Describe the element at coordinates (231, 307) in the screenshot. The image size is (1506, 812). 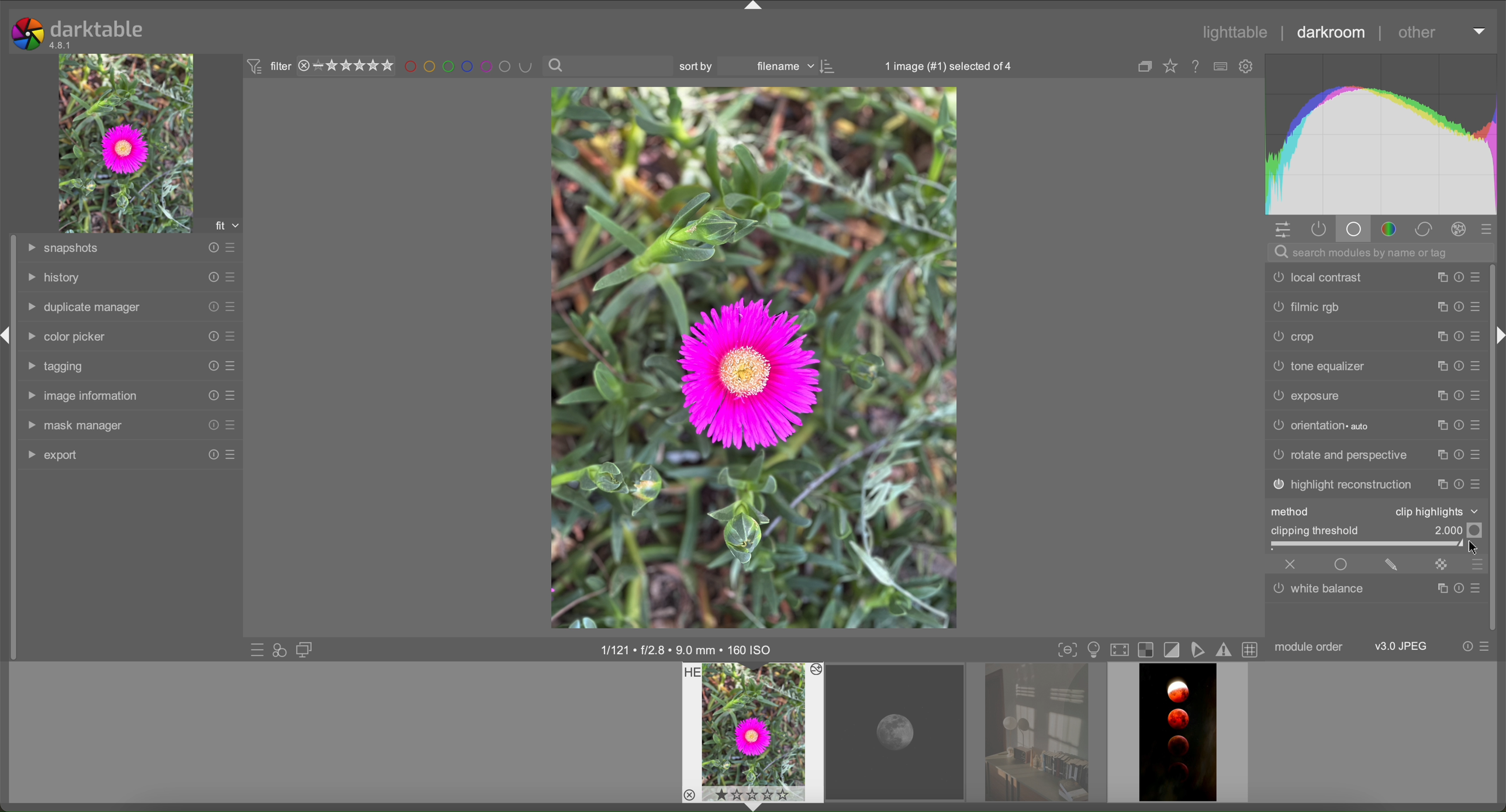
I see `presets` at that location.